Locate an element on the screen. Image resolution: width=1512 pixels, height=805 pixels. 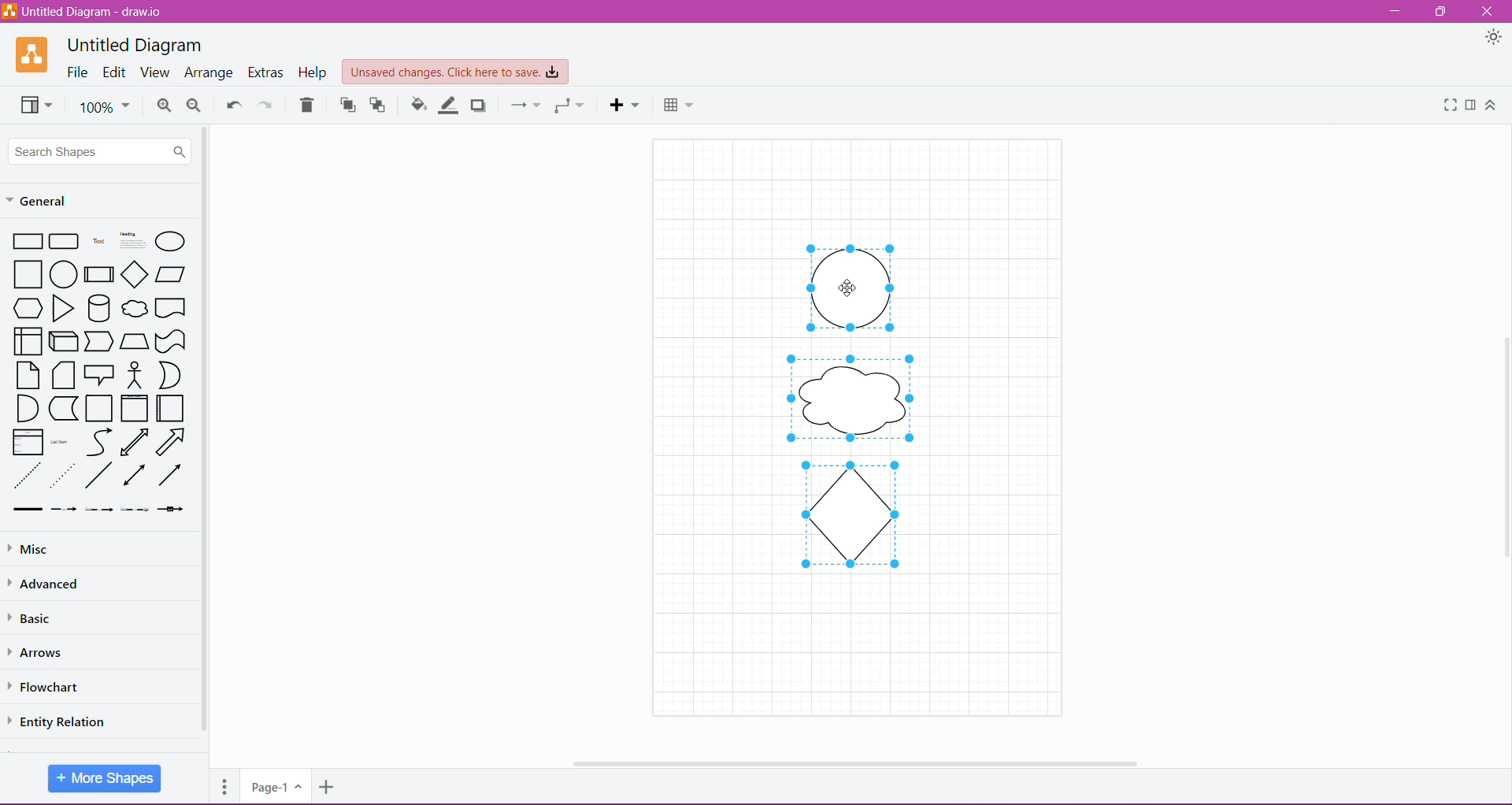
Restore Down is located at coordinates (1443, 11).